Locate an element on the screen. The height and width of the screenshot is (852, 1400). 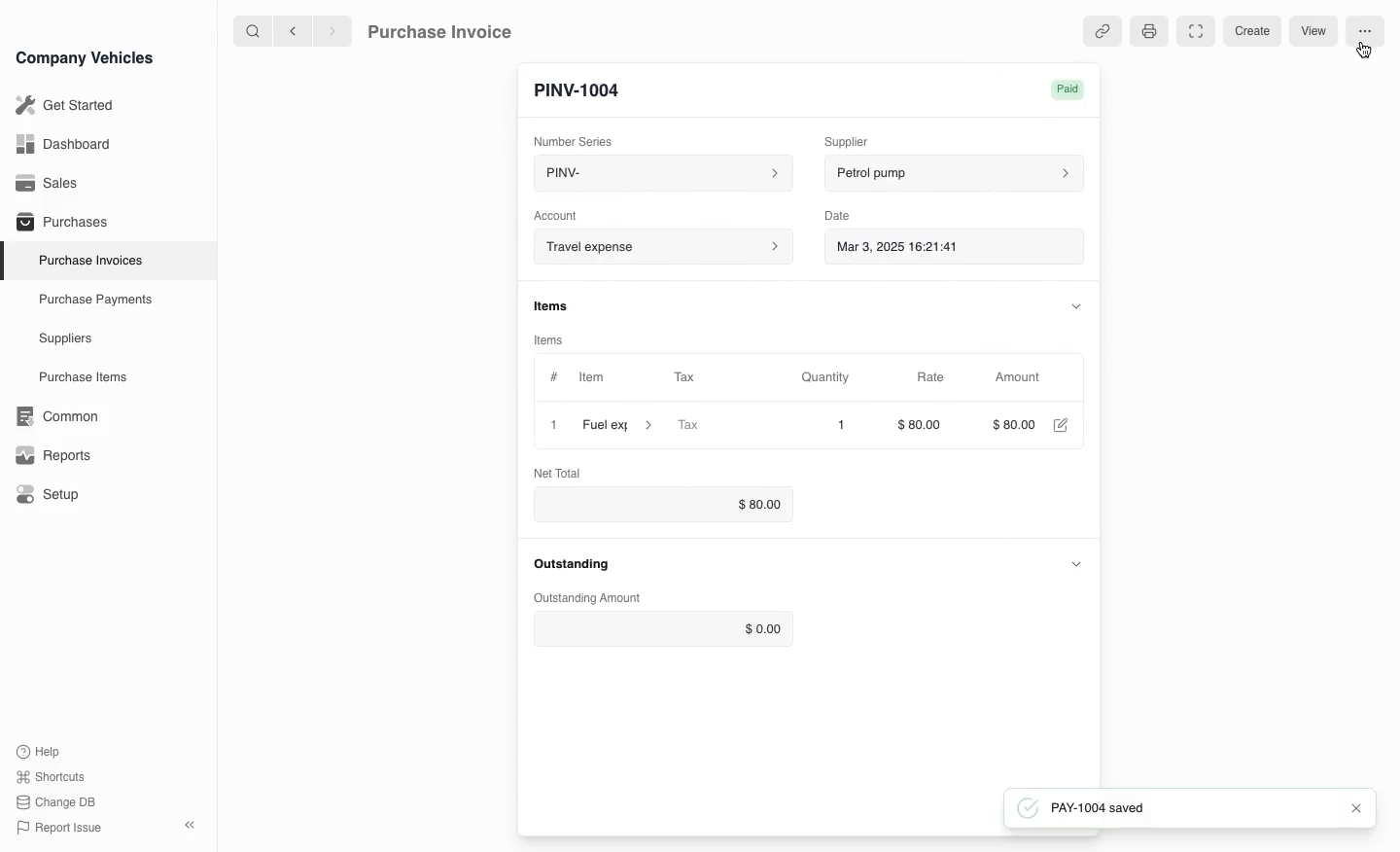
Supplier is located at coordinates (864, 139).